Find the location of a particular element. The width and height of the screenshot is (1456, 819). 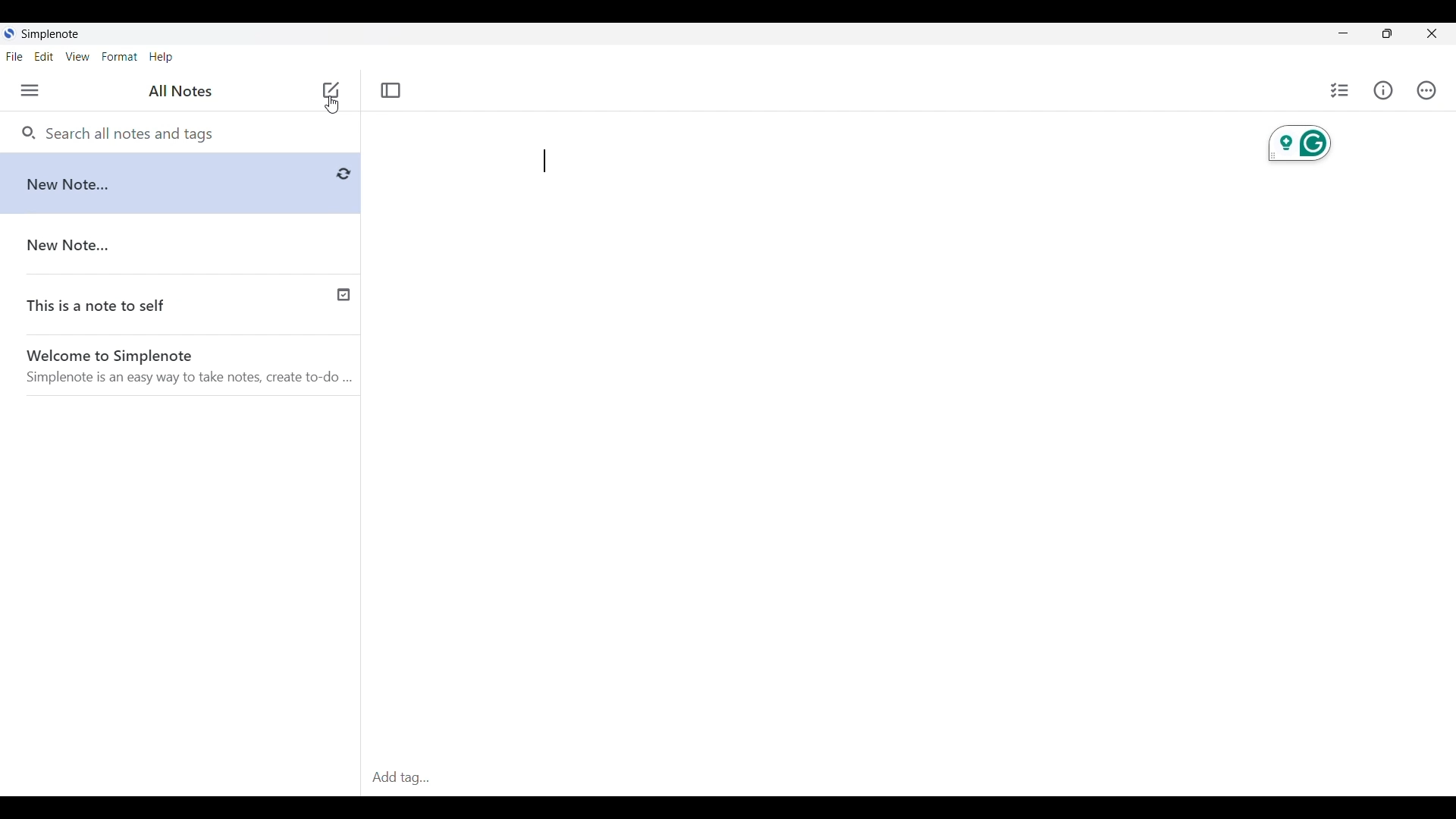

Toggle focus mode is located at coordinates (391, 90).